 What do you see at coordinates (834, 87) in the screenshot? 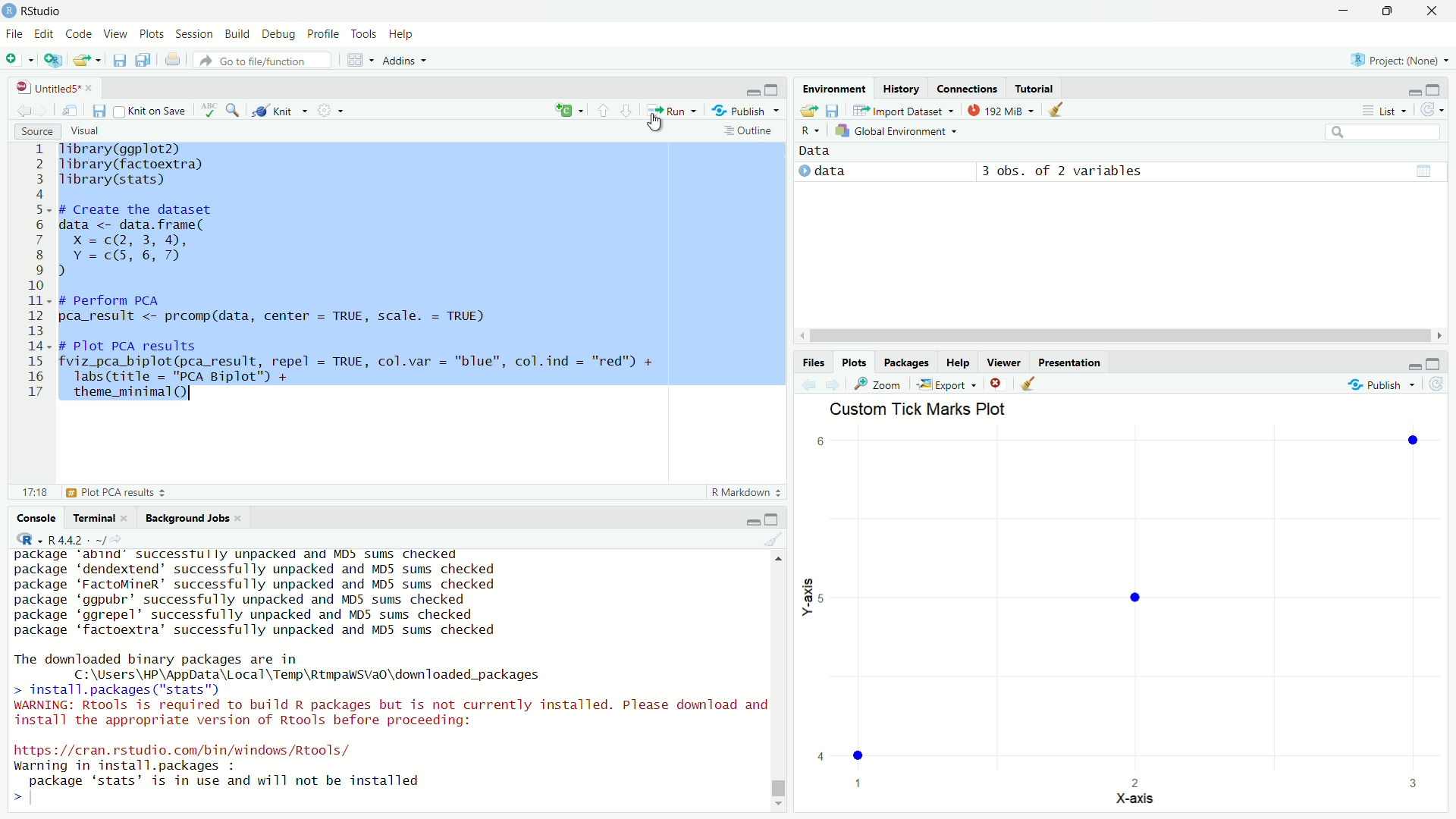
I see `environment` at bounding box center [834, 87].